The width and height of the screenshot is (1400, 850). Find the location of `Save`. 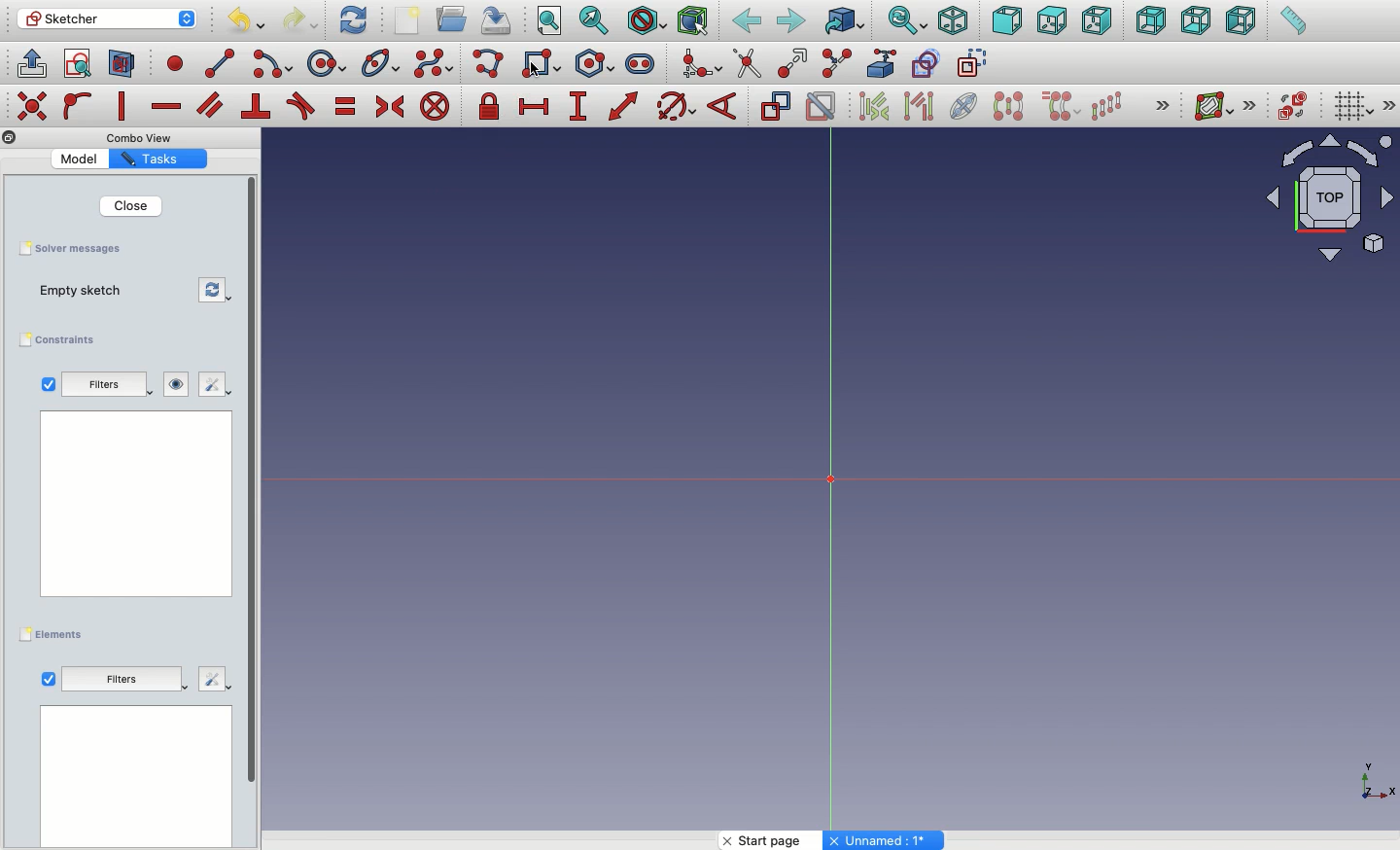

Save is located at coordinates (69, 247).